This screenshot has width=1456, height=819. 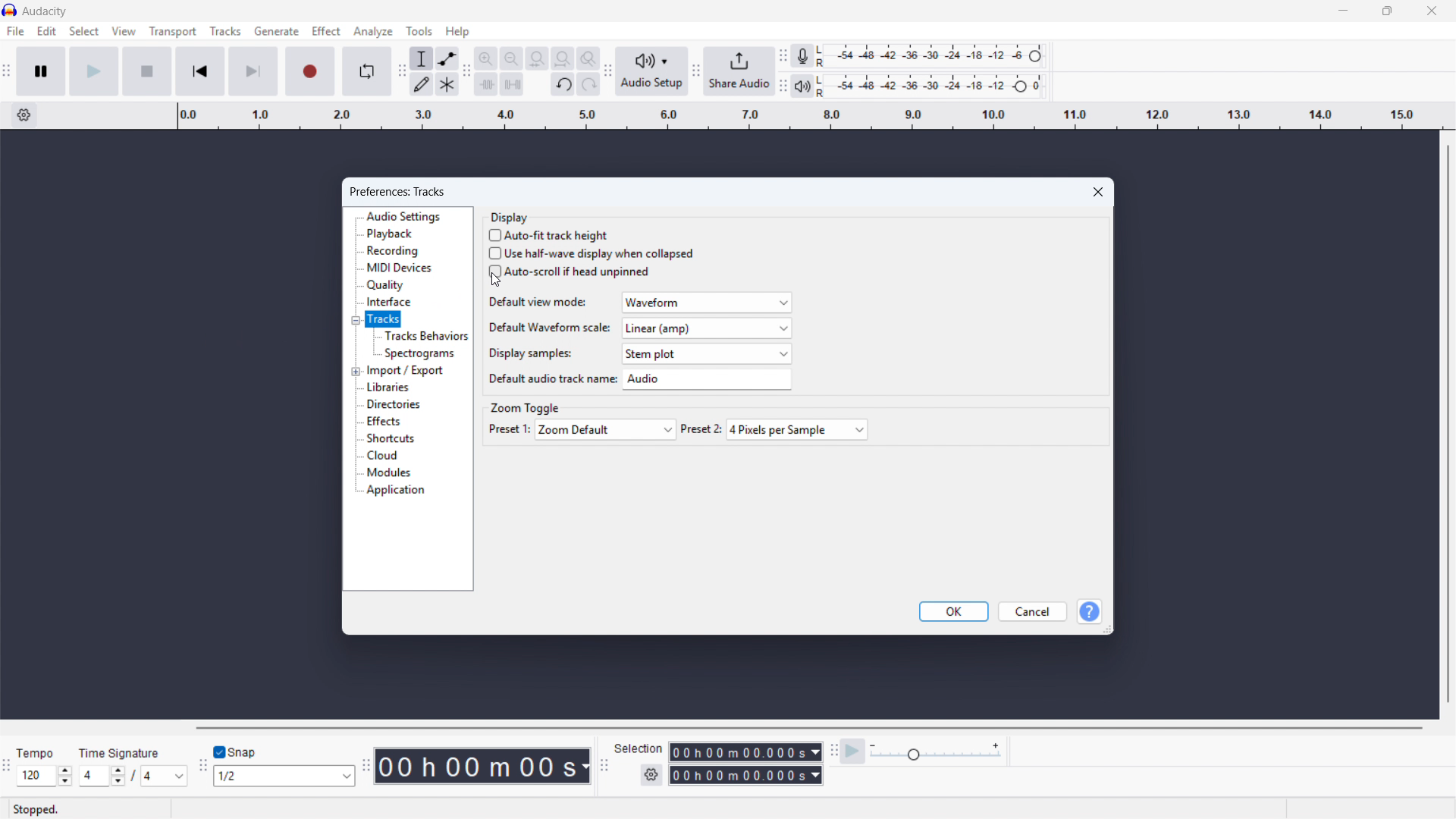 I want to click on edit toolbar, so click(x=467, y=71).